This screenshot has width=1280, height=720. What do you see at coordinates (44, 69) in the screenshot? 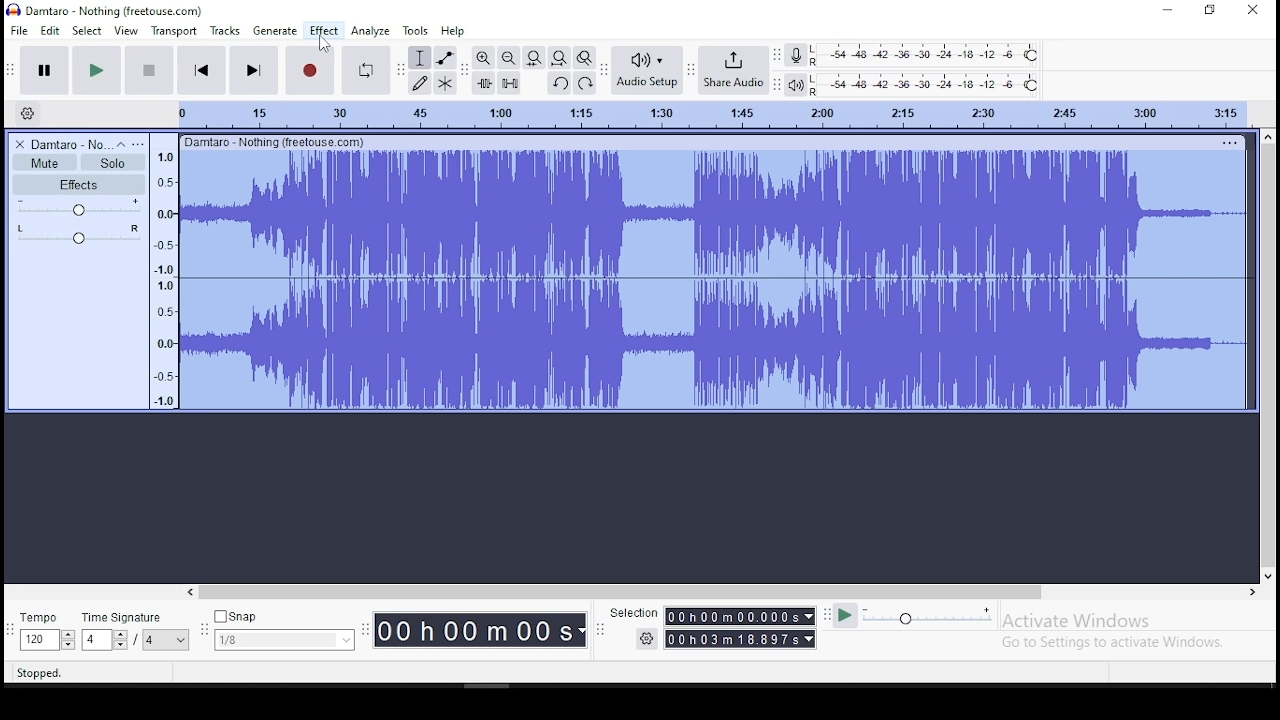
I see `pause` at bounding box center [44, 69].